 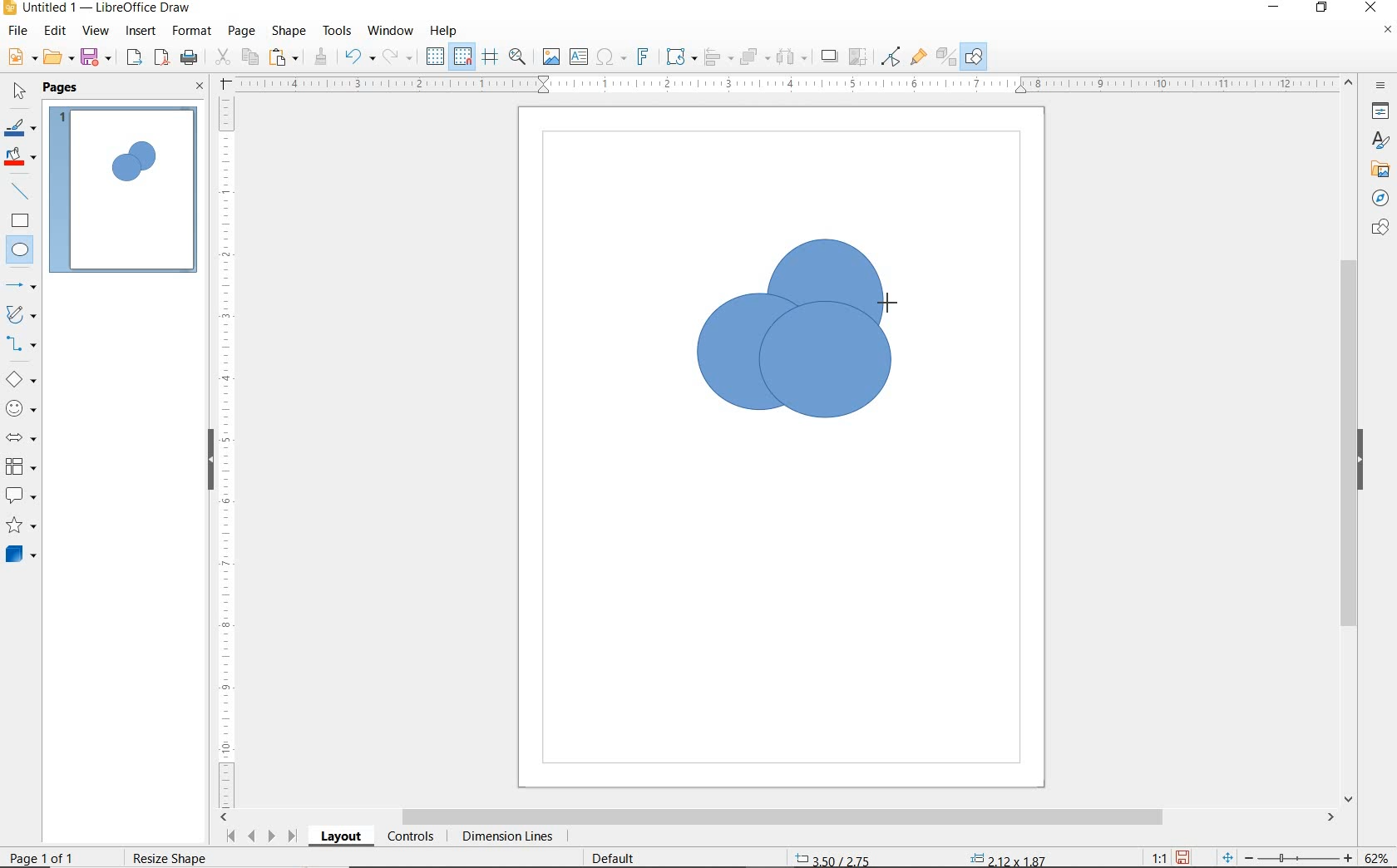 What do you see at coordinates (124, 195) in the screenshot?
I see `PAGE 1` at bounding box center [124, 195].